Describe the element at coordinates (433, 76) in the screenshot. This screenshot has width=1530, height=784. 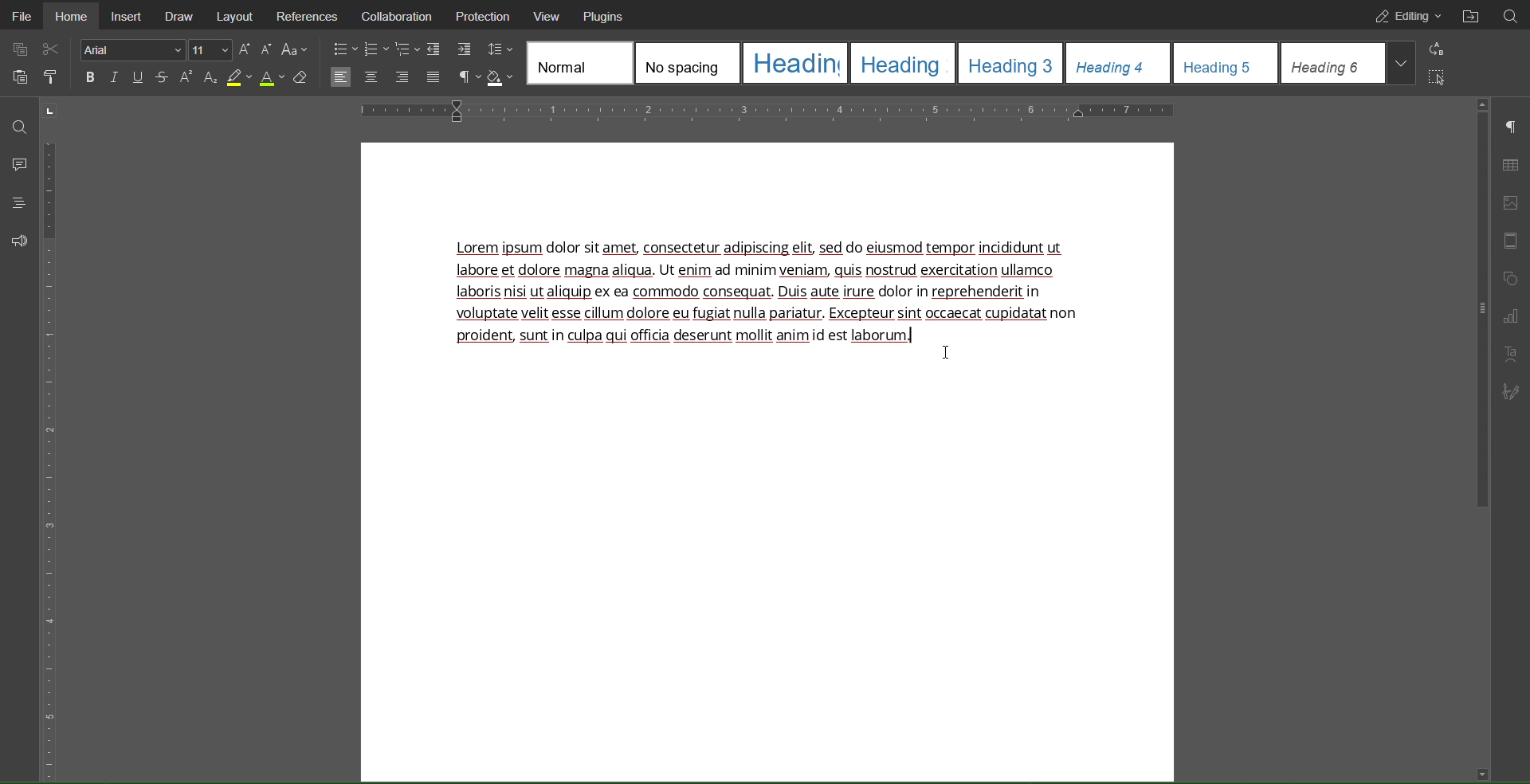
I see `Justify ` at that location.